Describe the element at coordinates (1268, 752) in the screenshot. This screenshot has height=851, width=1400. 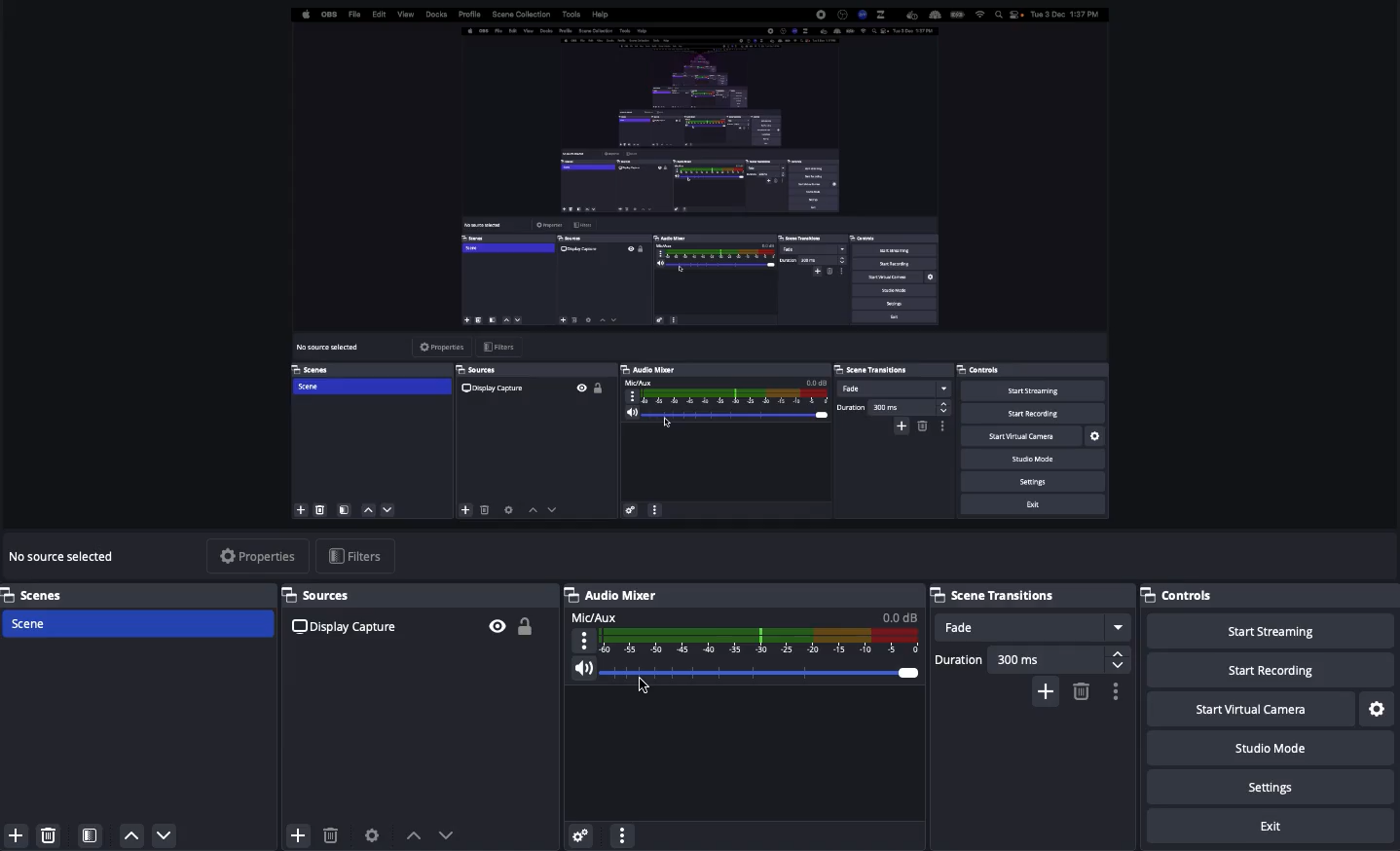
I see `Studio mode` at that location.